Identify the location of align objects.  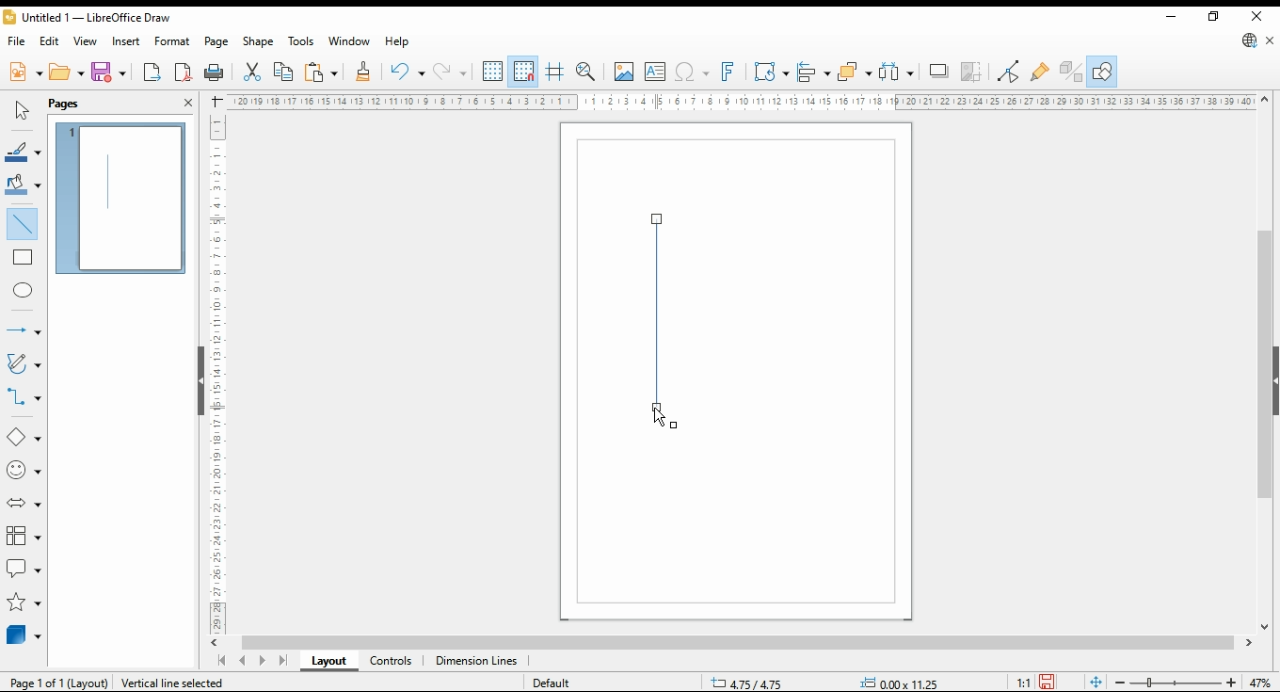
(814, 71).